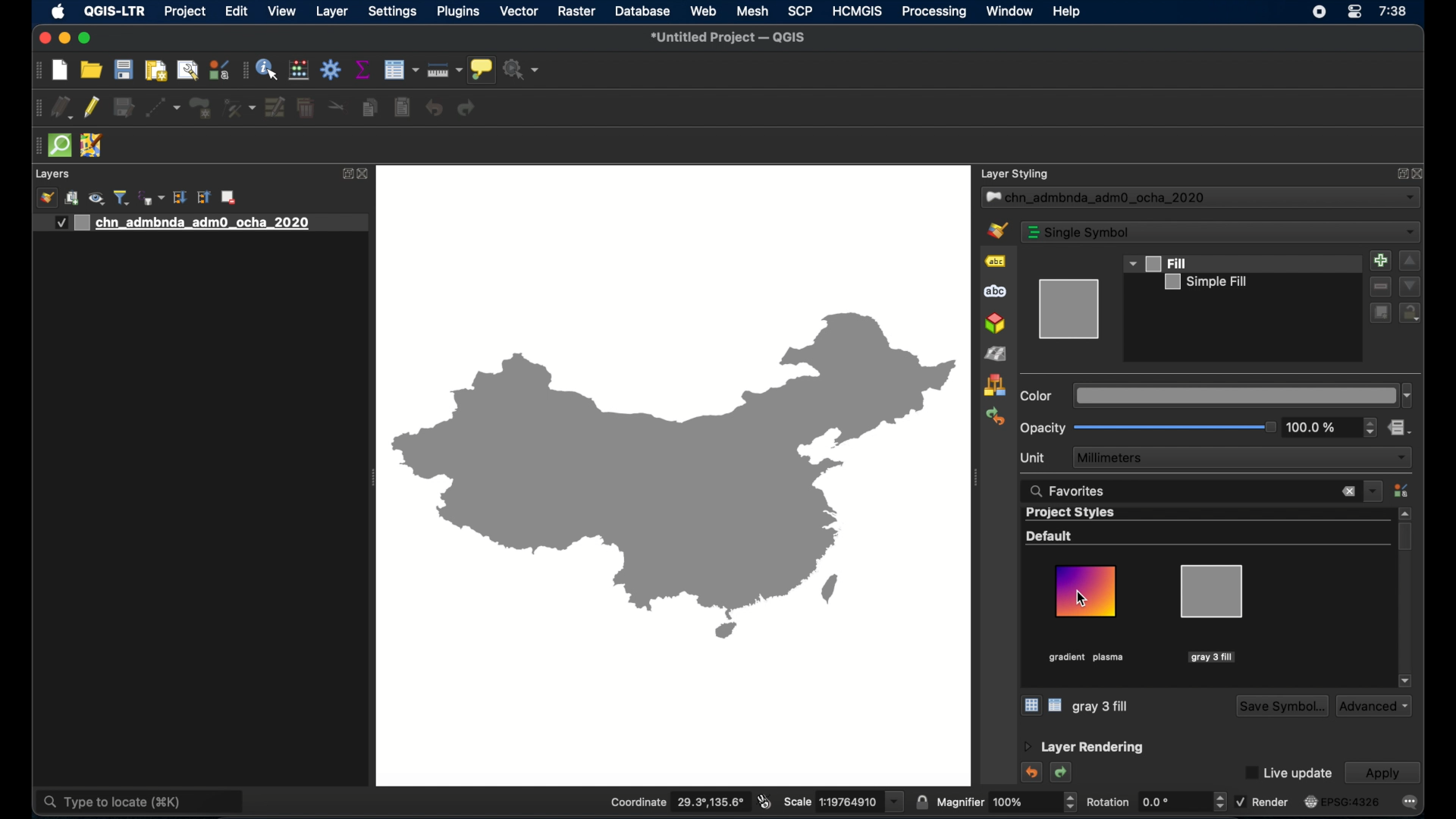  What do you see at coordinates (92, 69) in the screenshot?
I see `open` at bounding box center [92, 69].